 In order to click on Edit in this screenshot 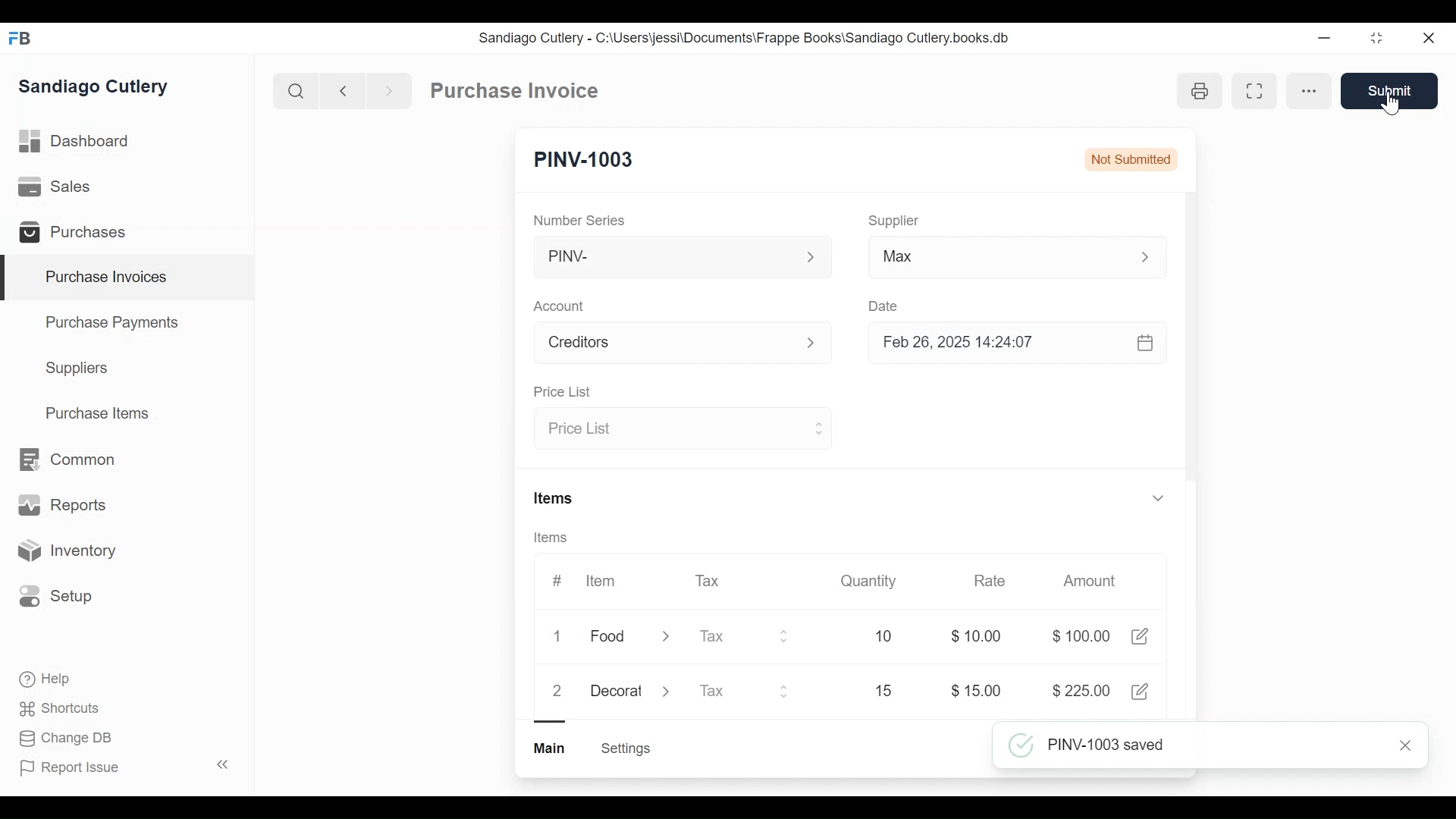, I will do `click(1142, 691)`.